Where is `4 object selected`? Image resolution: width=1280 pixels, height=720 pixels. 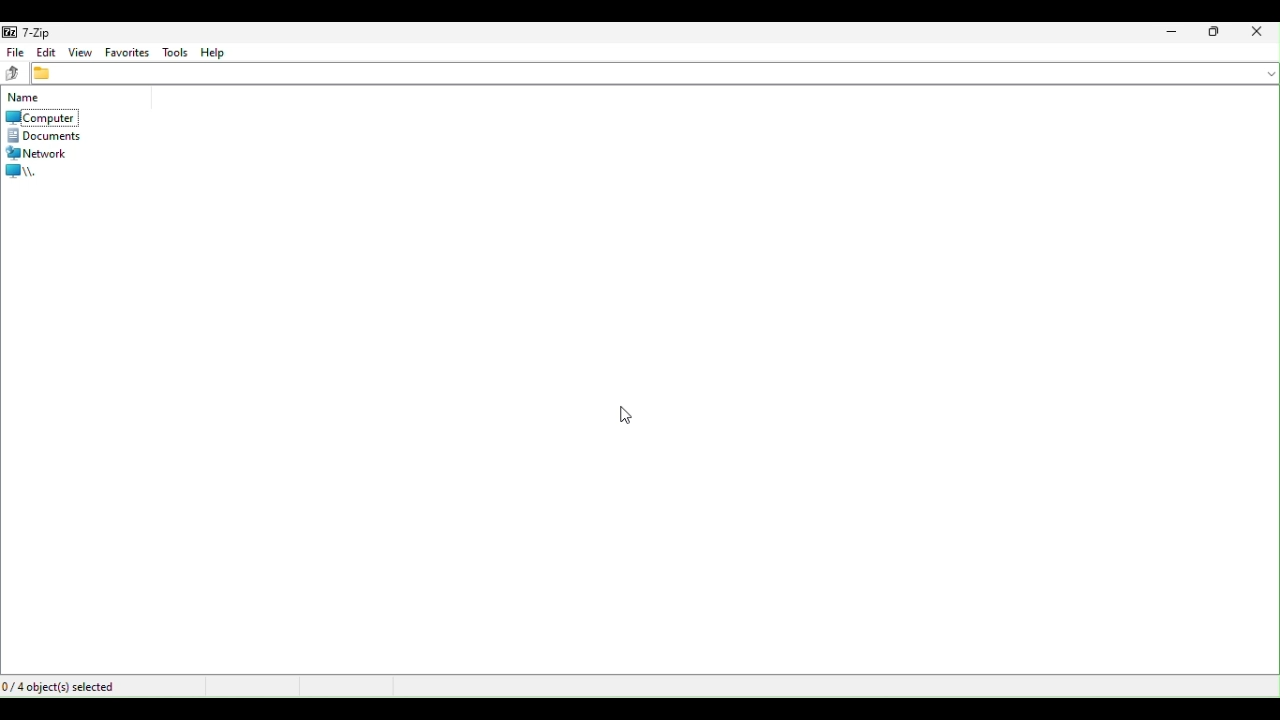
4 object selected is located at coordinates (78, 686).